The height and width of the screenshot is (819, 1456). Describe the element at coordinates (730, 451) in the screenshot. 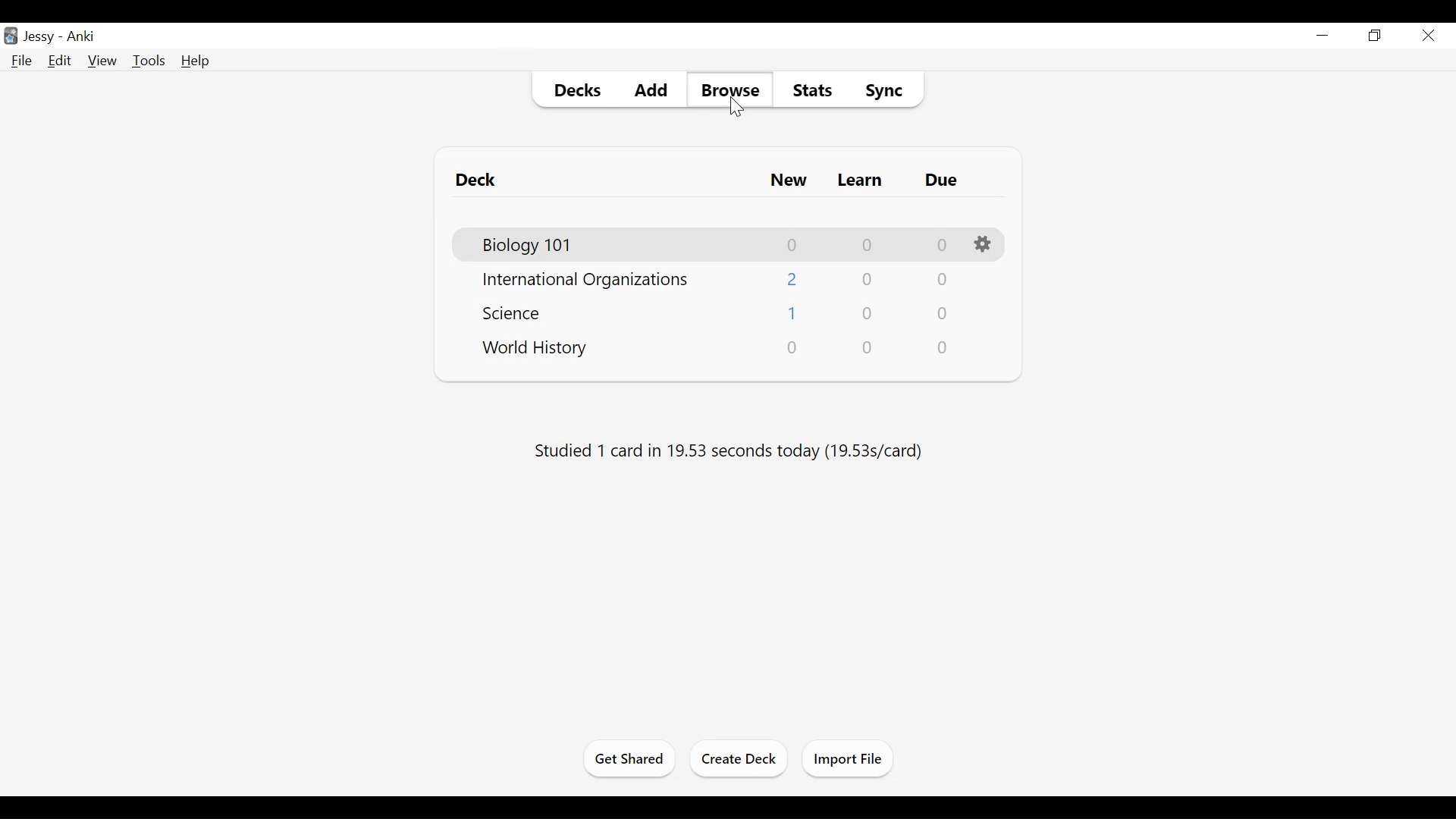

I see `Studied number of cards in number of seconds today (sec per card)` at that location.